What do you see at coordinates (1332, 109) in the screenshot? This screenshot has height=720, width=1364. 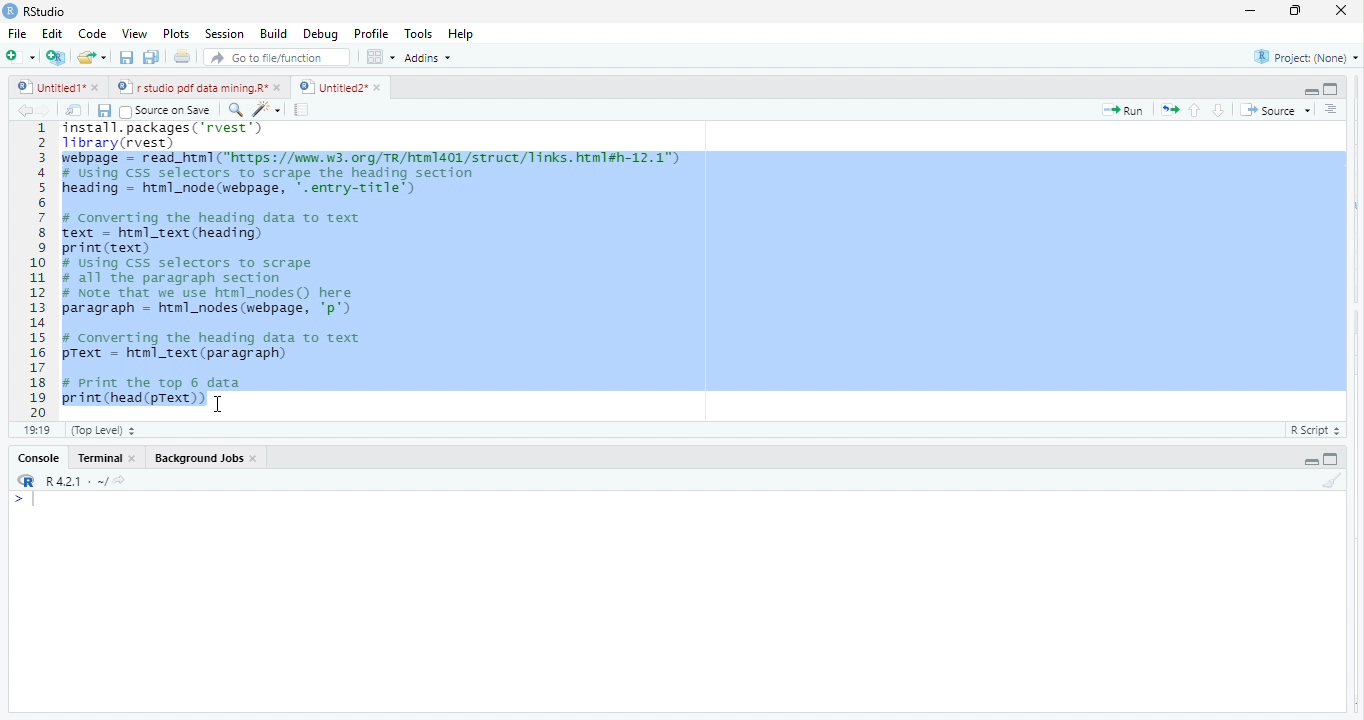 I see `show document outline` at bounding box center [1332, 109].